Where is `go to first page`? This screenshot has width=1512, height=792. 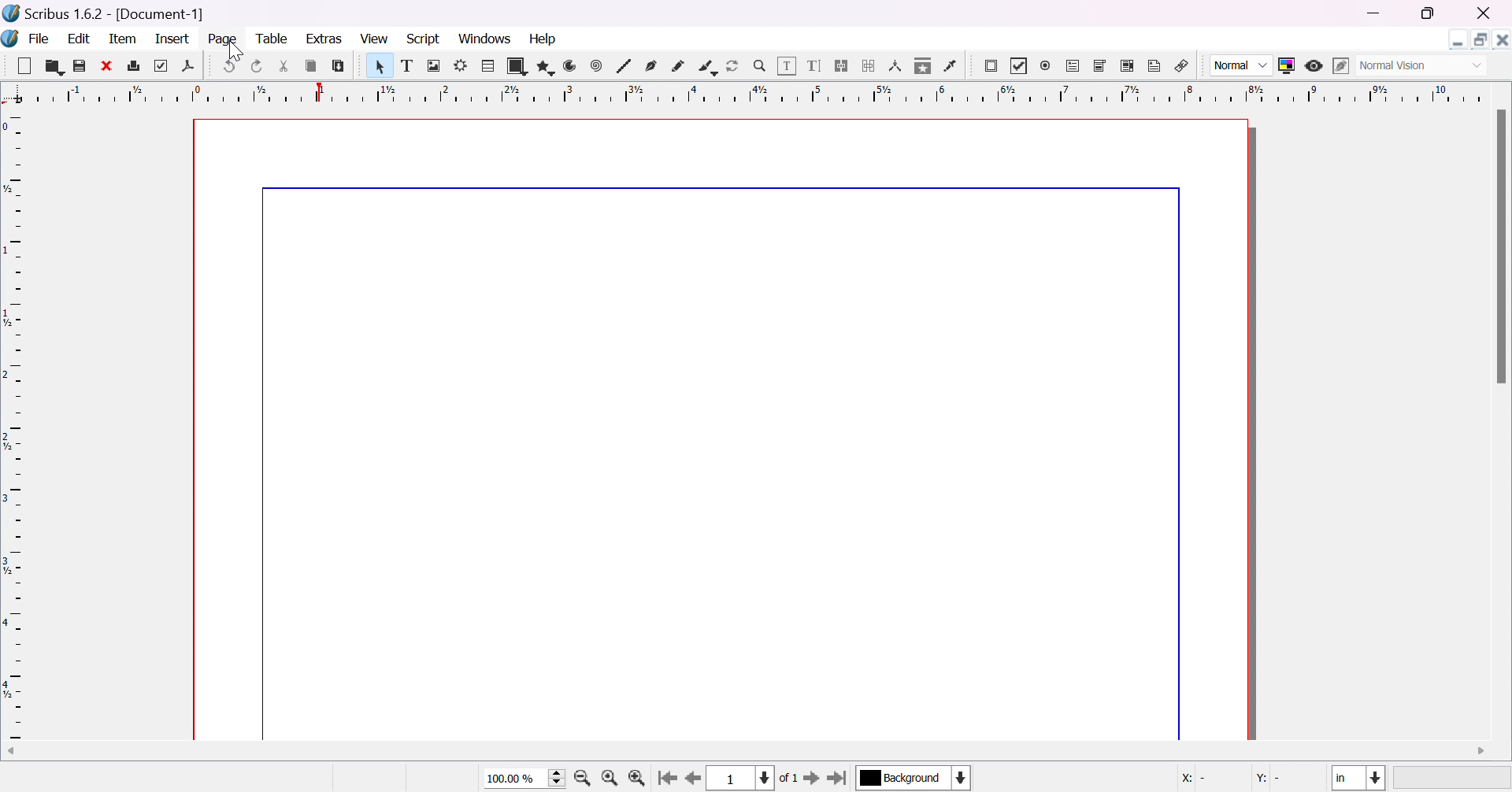
go to first page is located at coordinates (666, 776).